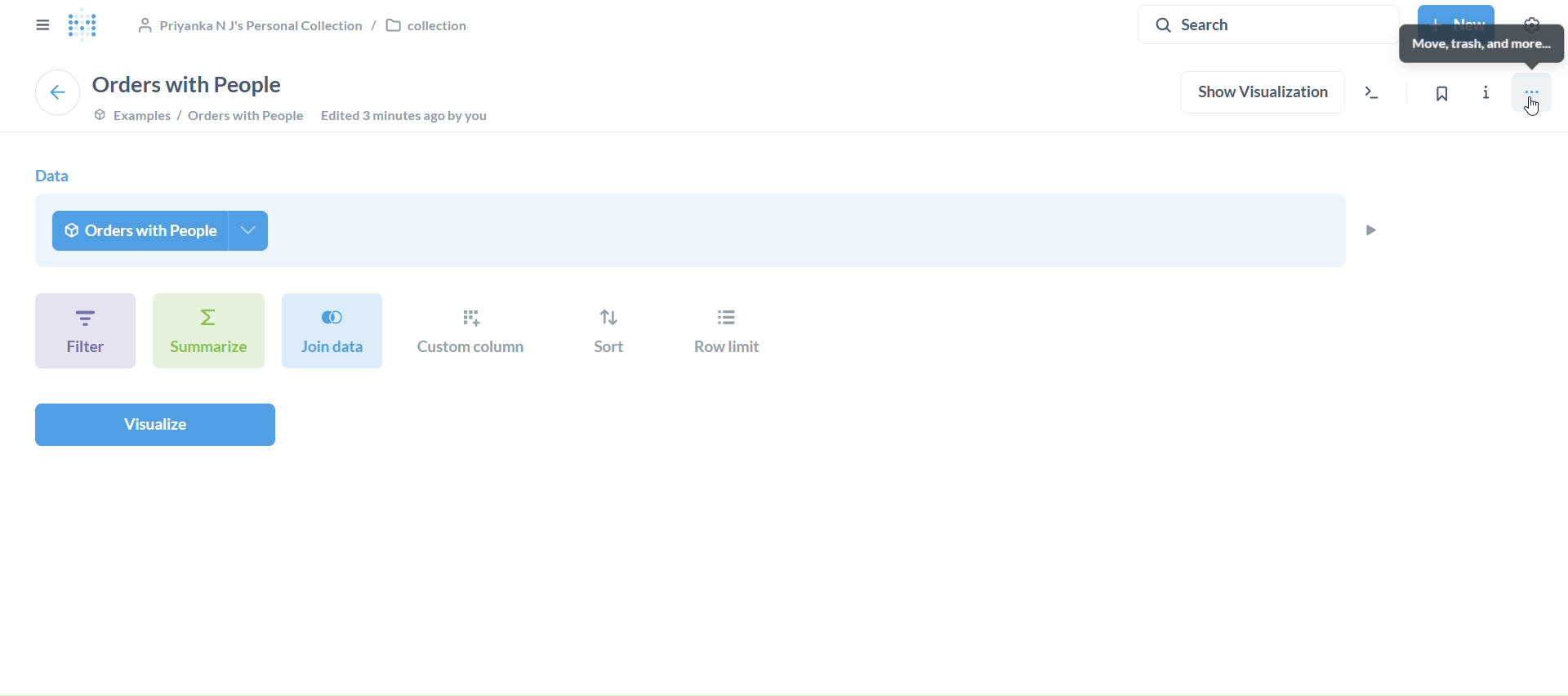 The image size is (1568, 696). I want to click on search, so click(1261, 25).